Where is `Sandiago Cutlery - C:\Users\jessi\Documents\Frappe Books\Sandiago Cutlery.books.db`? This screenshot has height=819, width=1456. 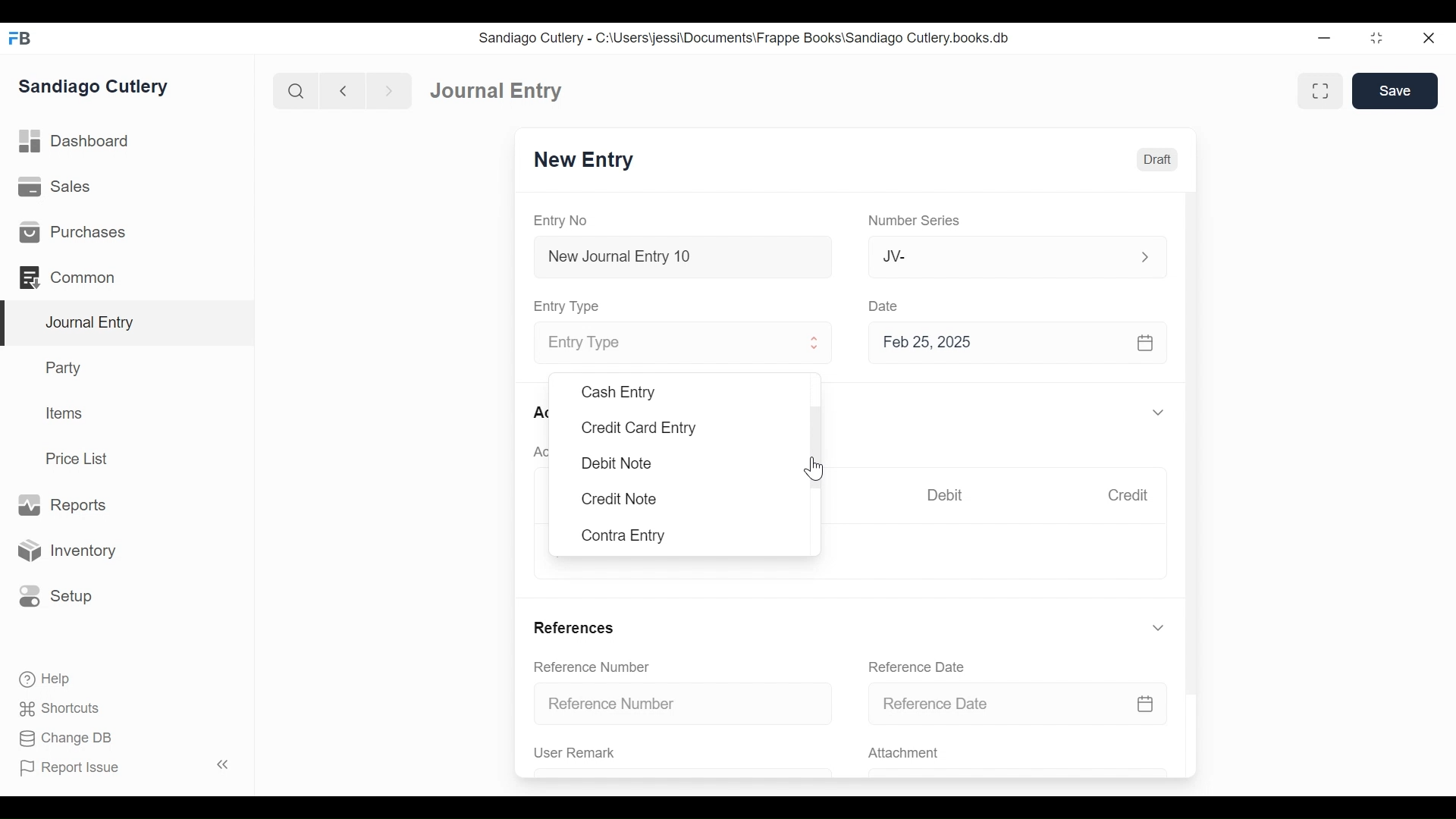 Sandiago Cutlery - C:\Users\jessi\Documents\Frappe Books\Sandiago Cutlery.books.db is located at coordinates (747, 39).